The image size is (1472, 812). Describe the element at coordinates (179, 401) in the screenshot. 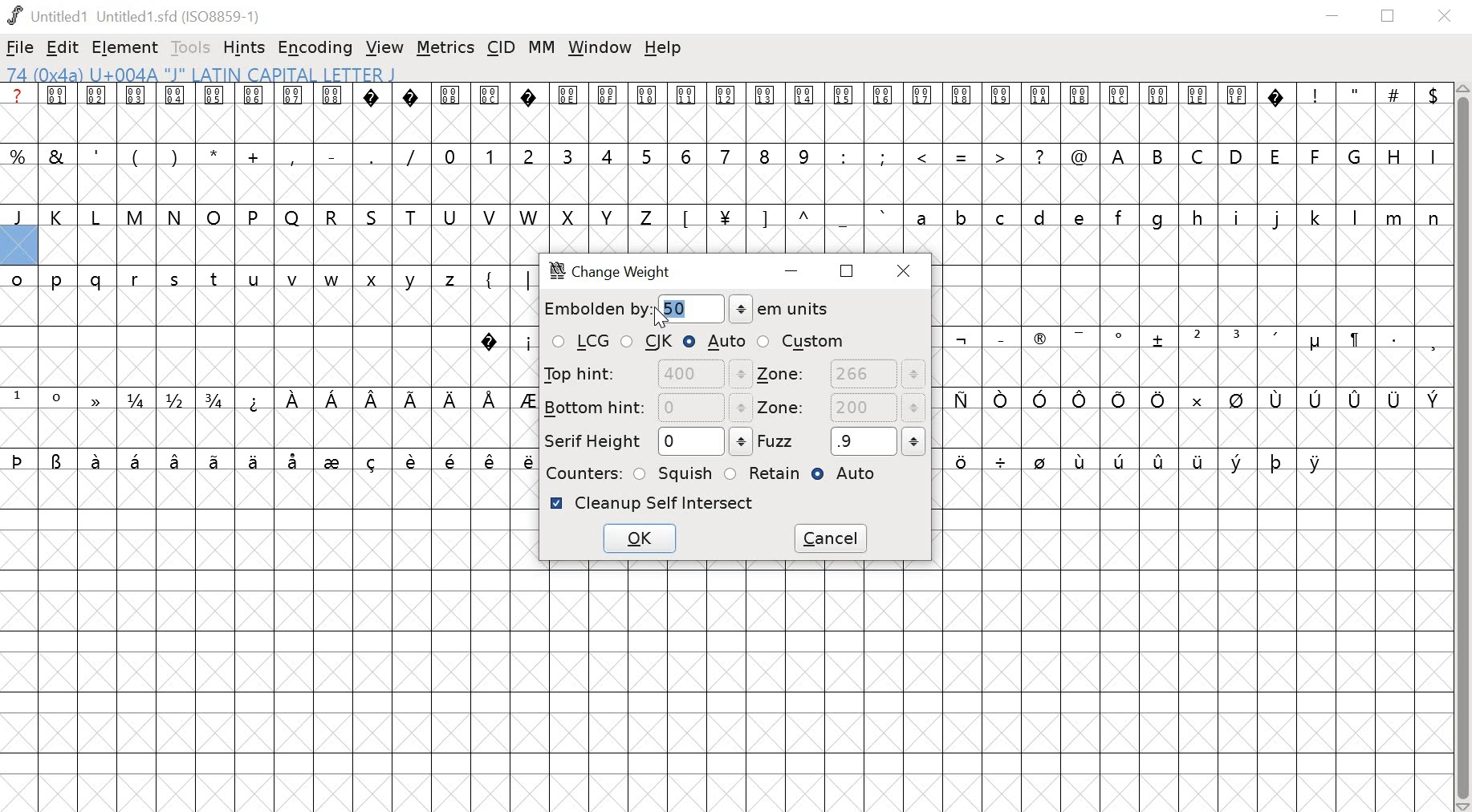

I see `fractions` at that location.